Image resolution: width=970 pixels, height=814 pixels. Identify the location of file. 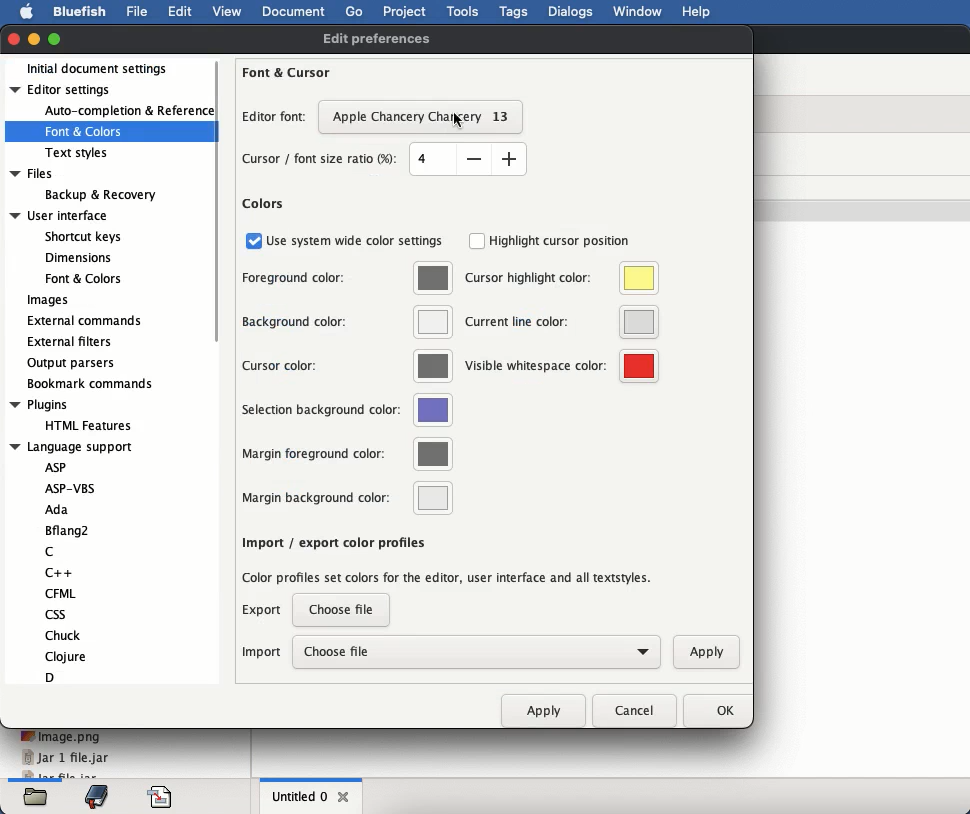
(136, 11).